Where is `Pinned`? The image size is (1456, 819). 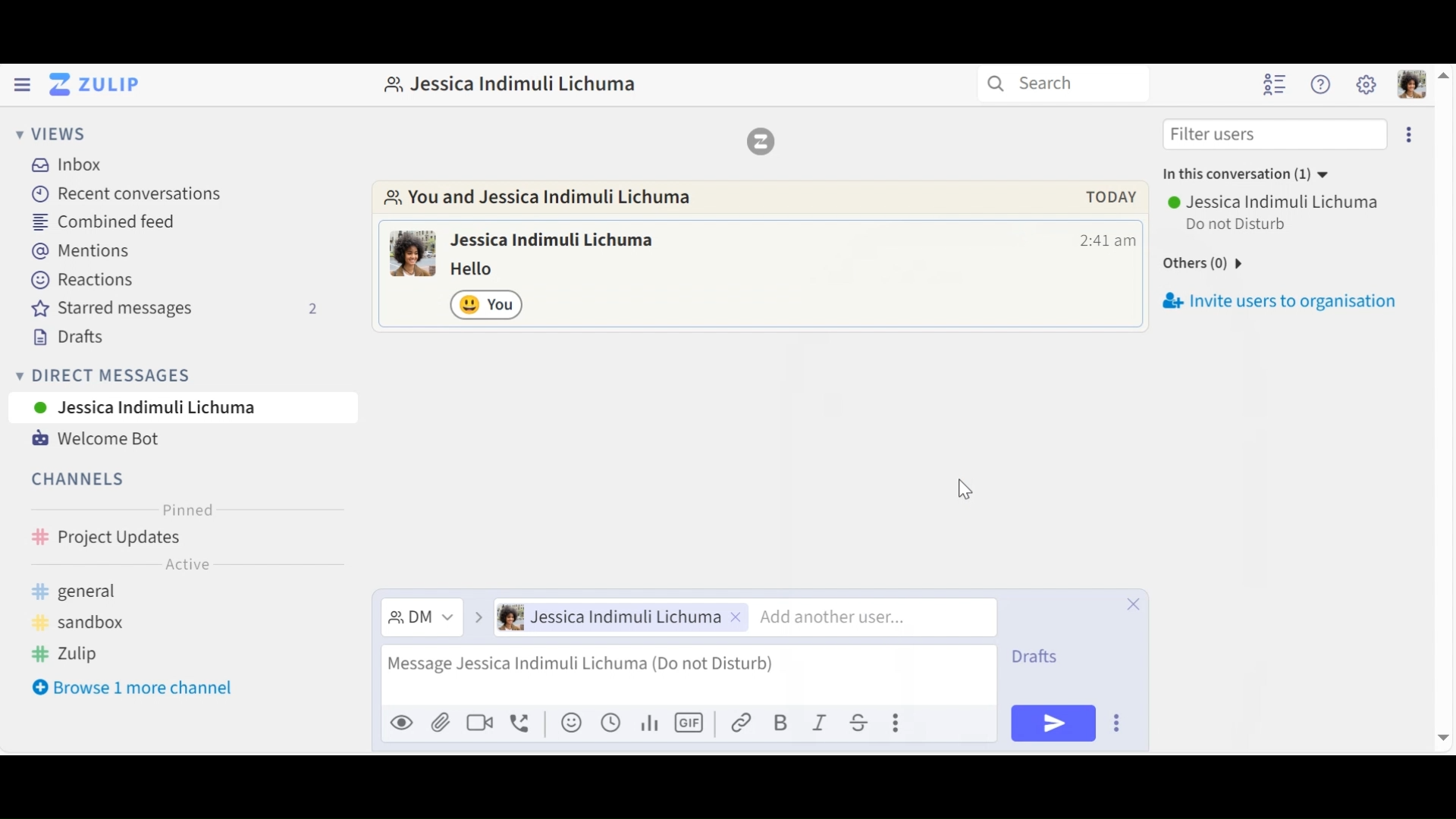
Pinned is located at coordinates (185, 510).